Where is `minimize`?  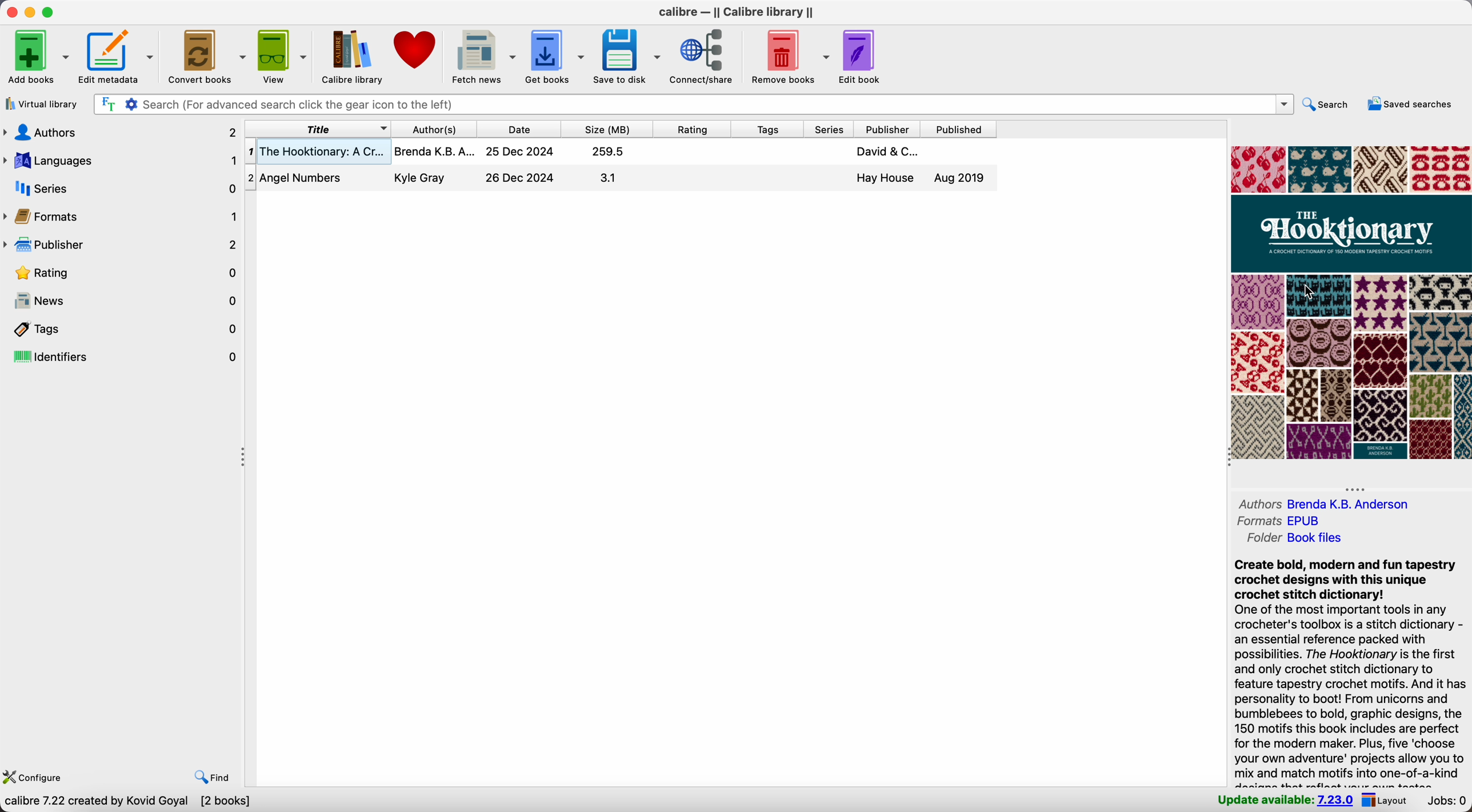
minimize is located at coordinates (33, 11).